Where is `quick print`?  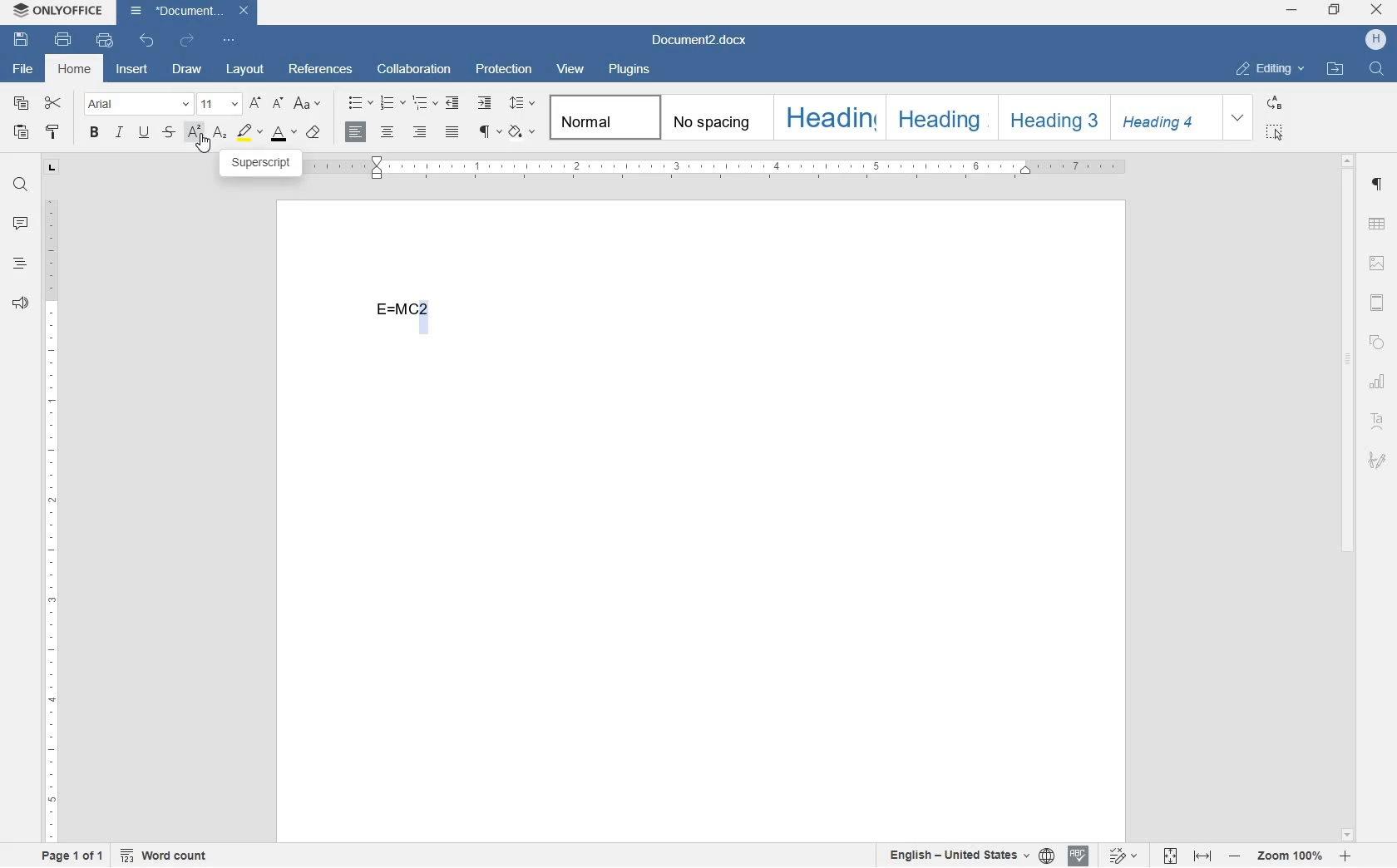 quick print is located at coordinates (104, 40).